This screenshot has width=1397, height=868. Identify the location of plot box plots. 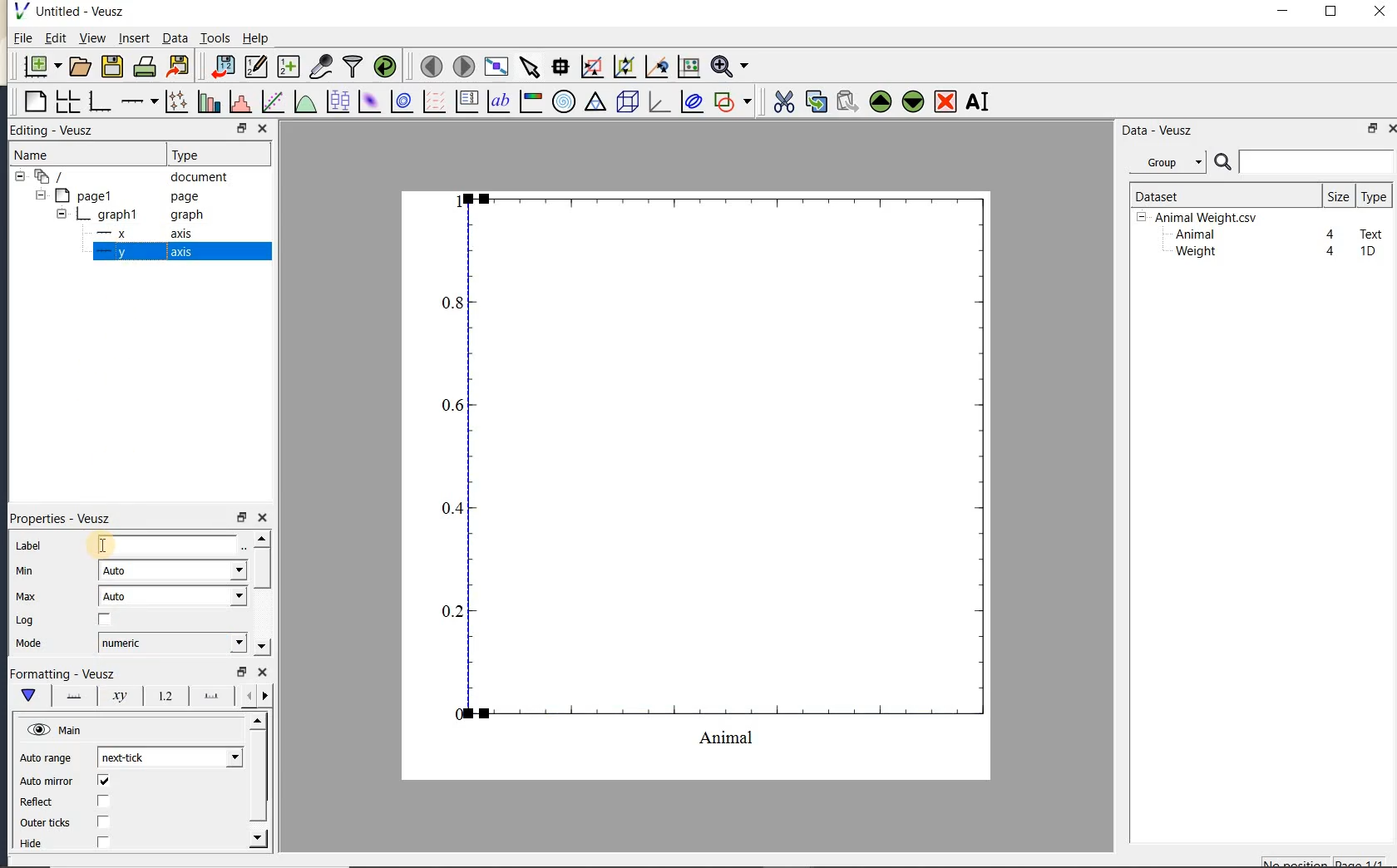
(335, 102).